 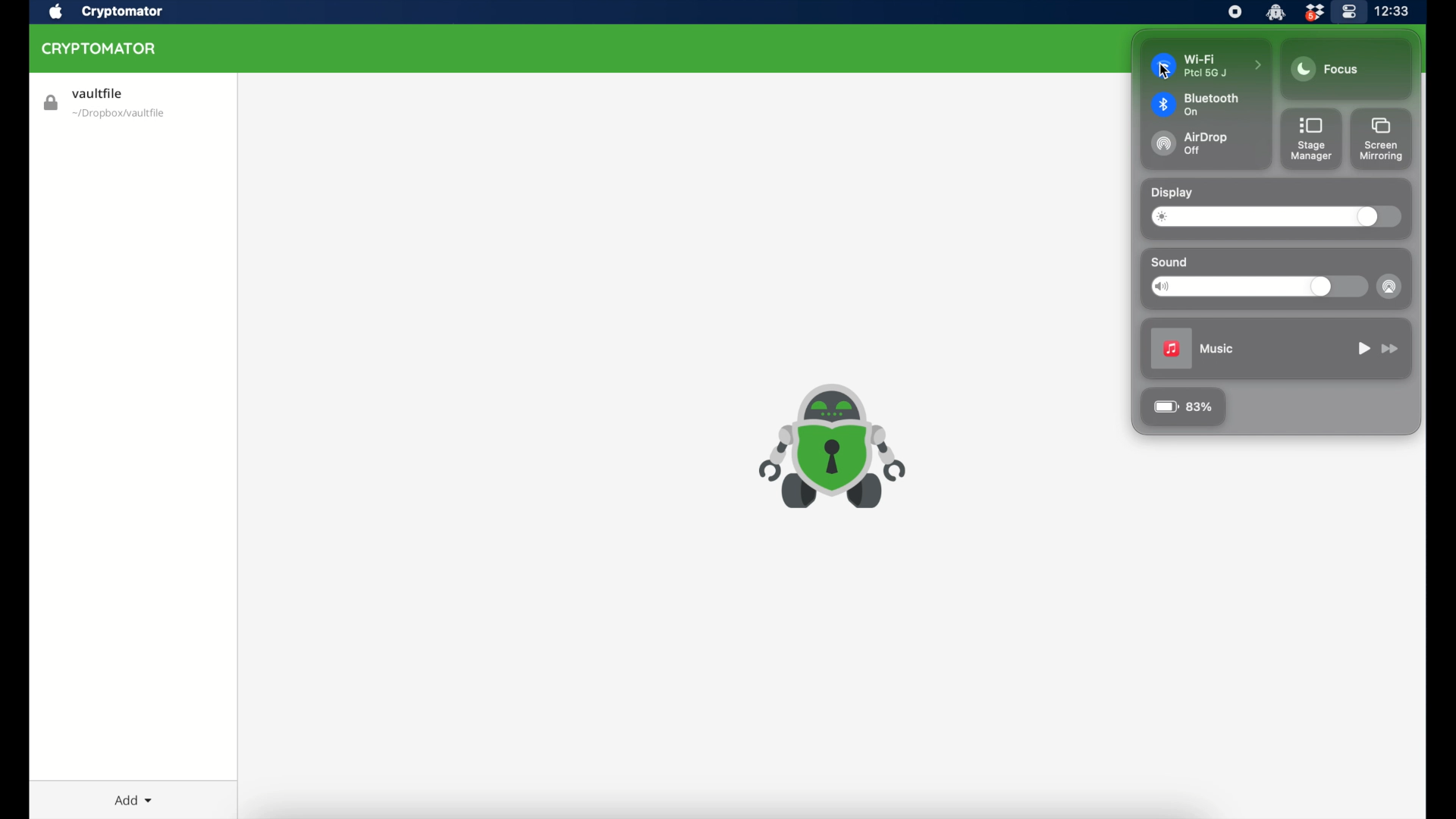 I want to click on cursor, so click(x=1167, y=72).